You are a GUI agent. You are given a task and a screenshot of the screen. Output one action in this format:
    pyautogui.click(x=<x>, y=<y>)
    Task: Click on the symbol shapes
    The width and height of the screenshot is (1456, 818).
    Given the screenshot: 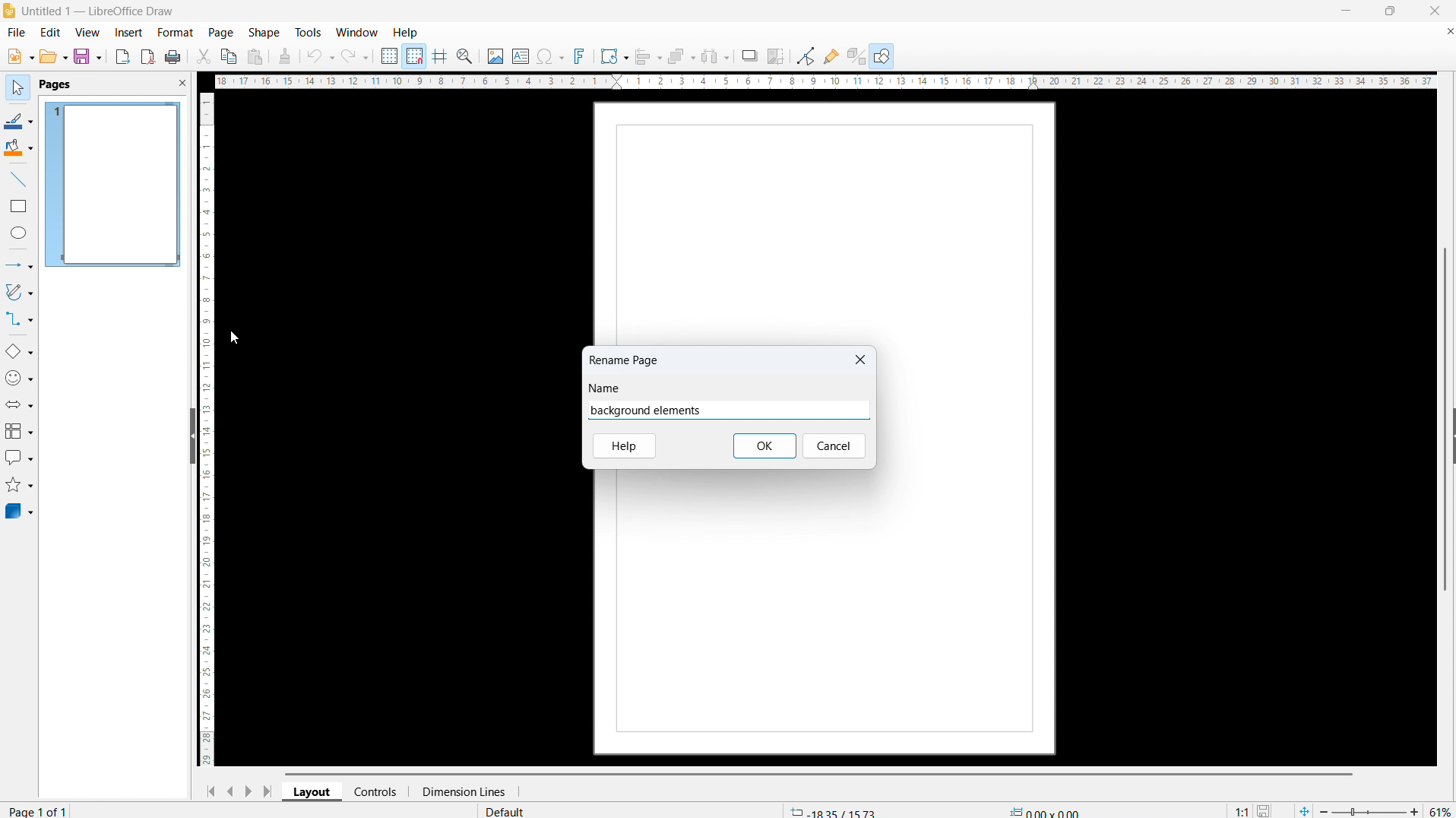 What is the action you would take?
    pyautogui.click(x=19, y=378)
    